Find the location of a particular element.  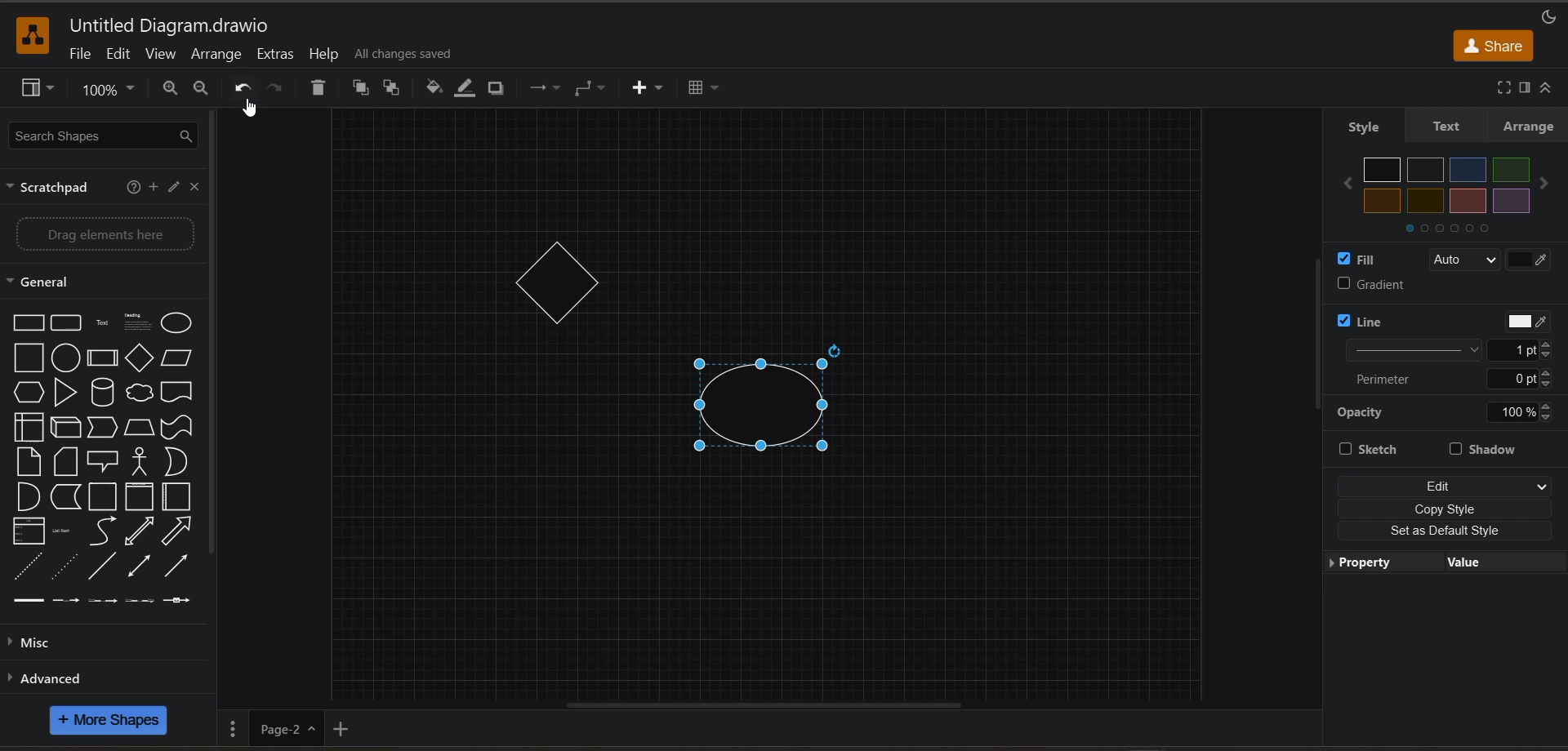

Line is located at coordinates (103, 567).